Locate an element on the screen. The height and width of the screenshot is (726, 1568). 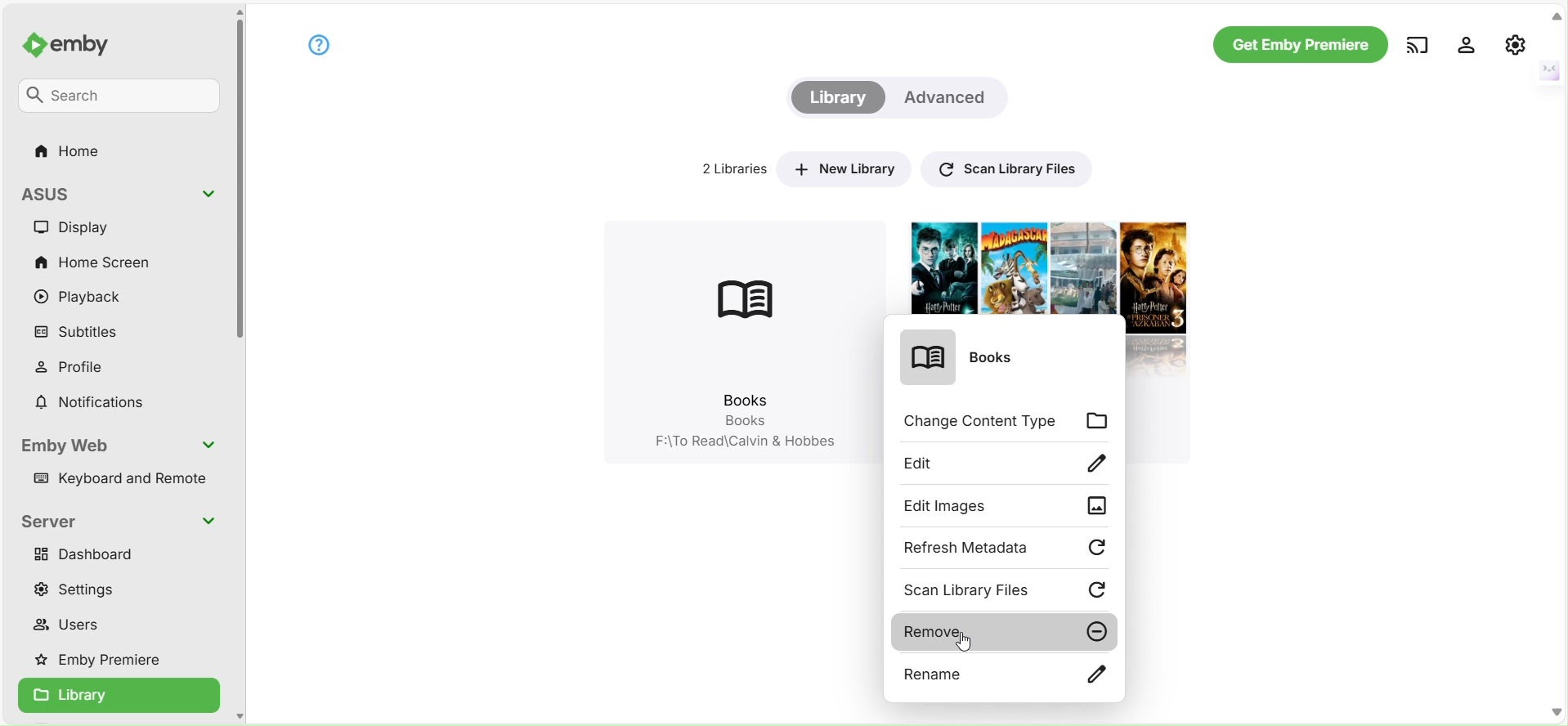
Collapse Section is located at coordinates (208, 195).